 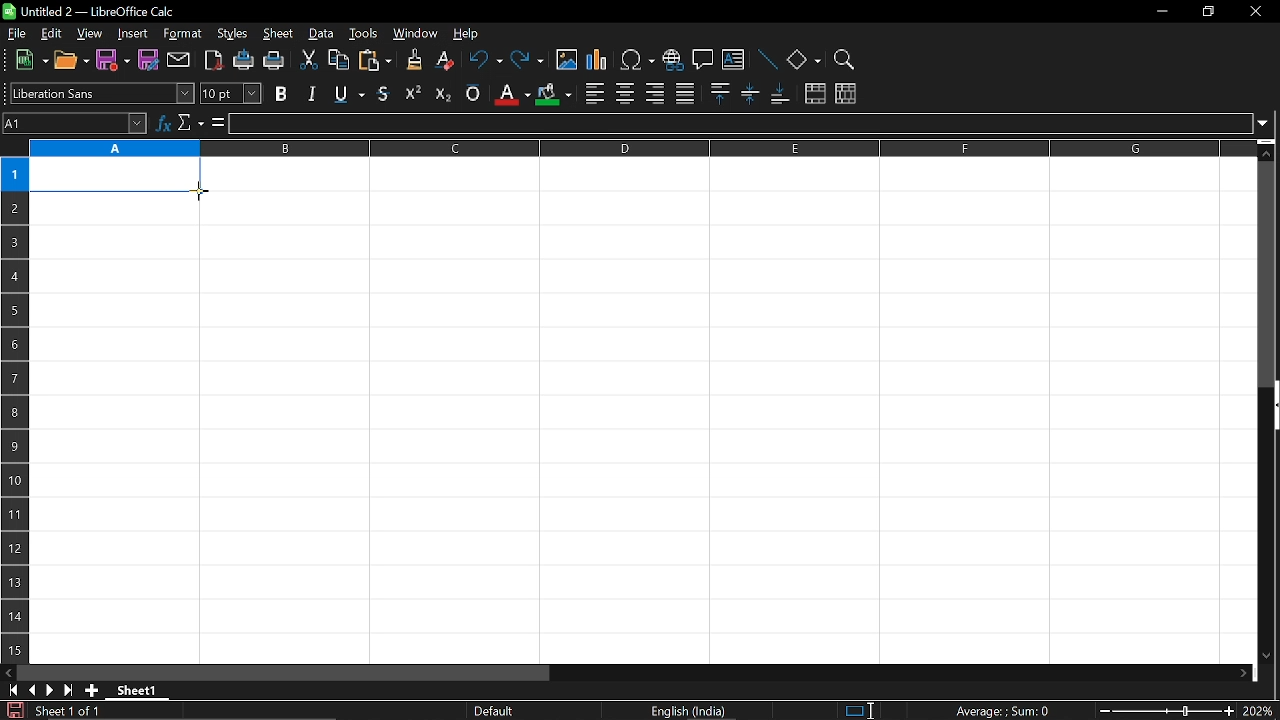 I want to click on export as pdf, so click(x=210, y=60).